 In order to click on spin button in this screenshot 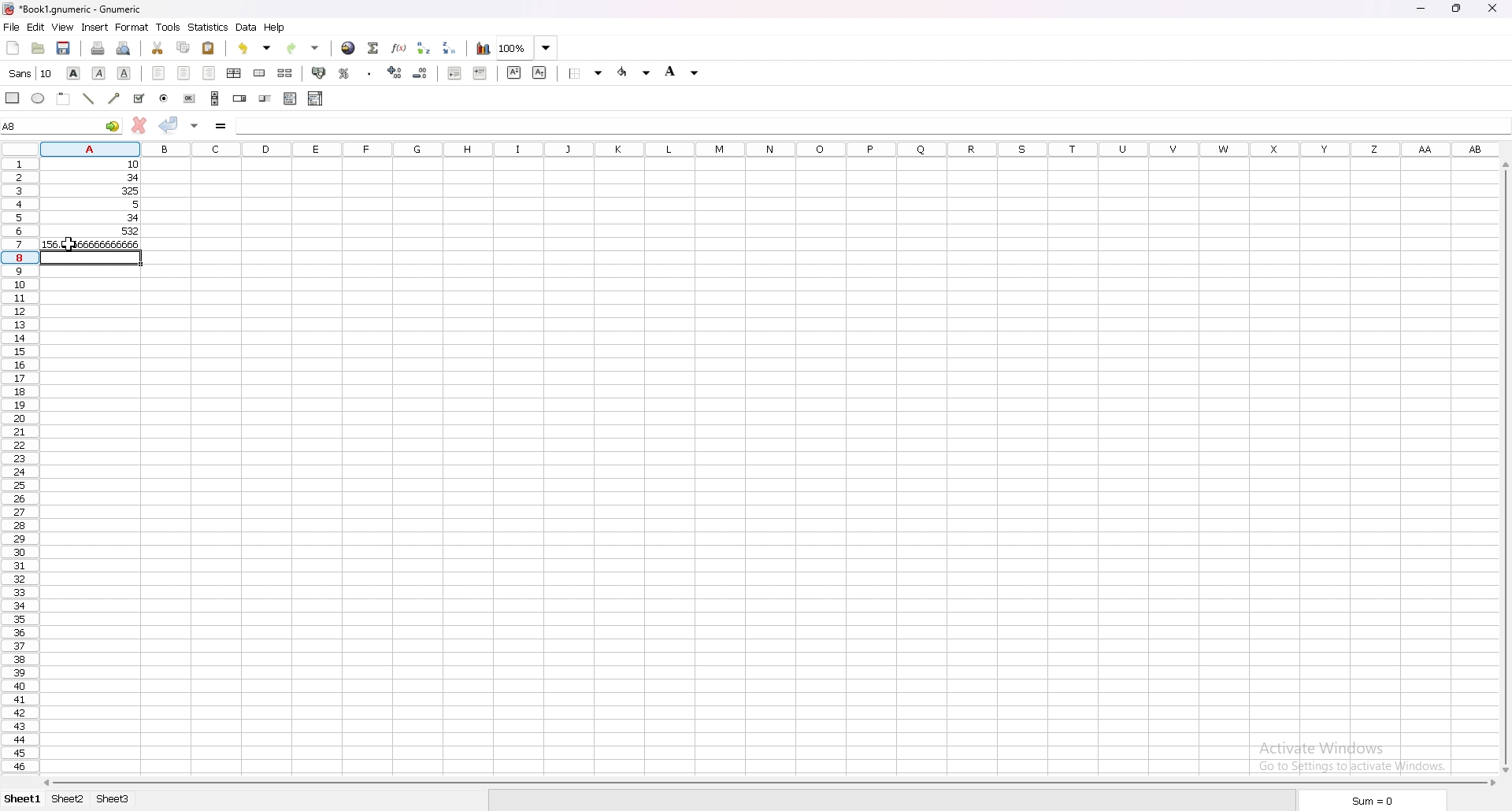, I will do `click(239, 98)`.